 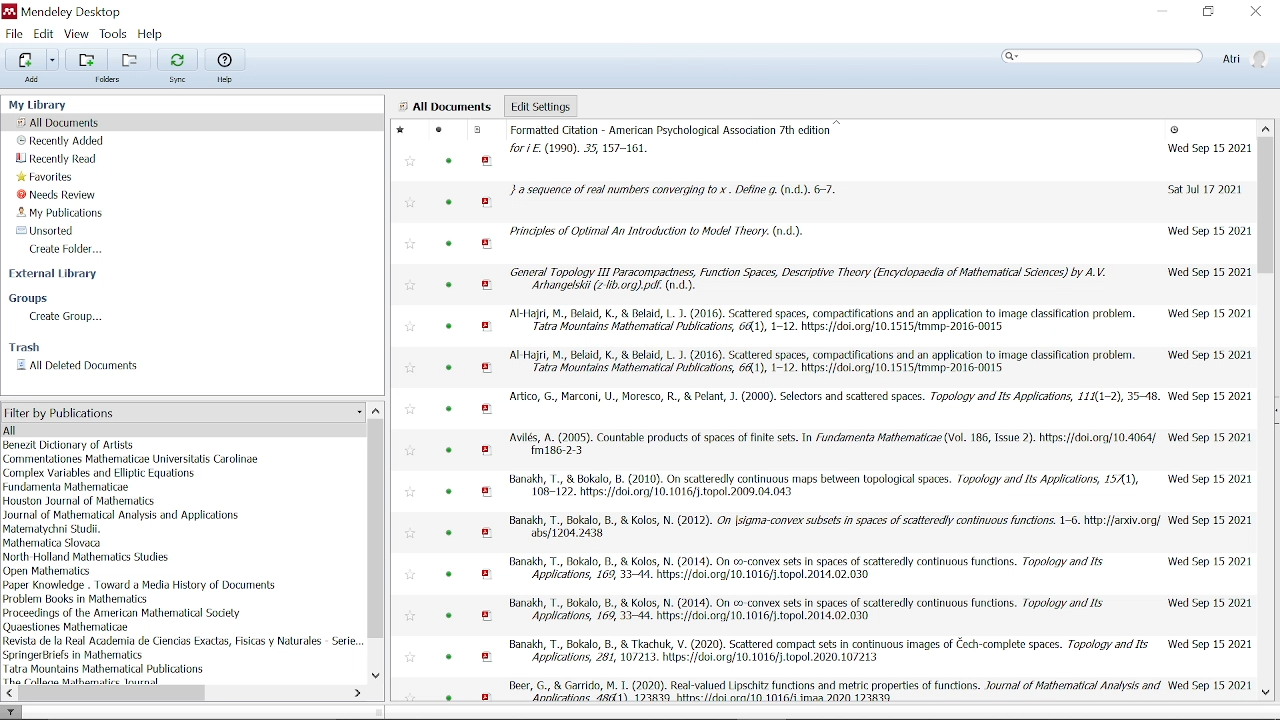 I want to click on Favorites, so click(x=47, y=176).